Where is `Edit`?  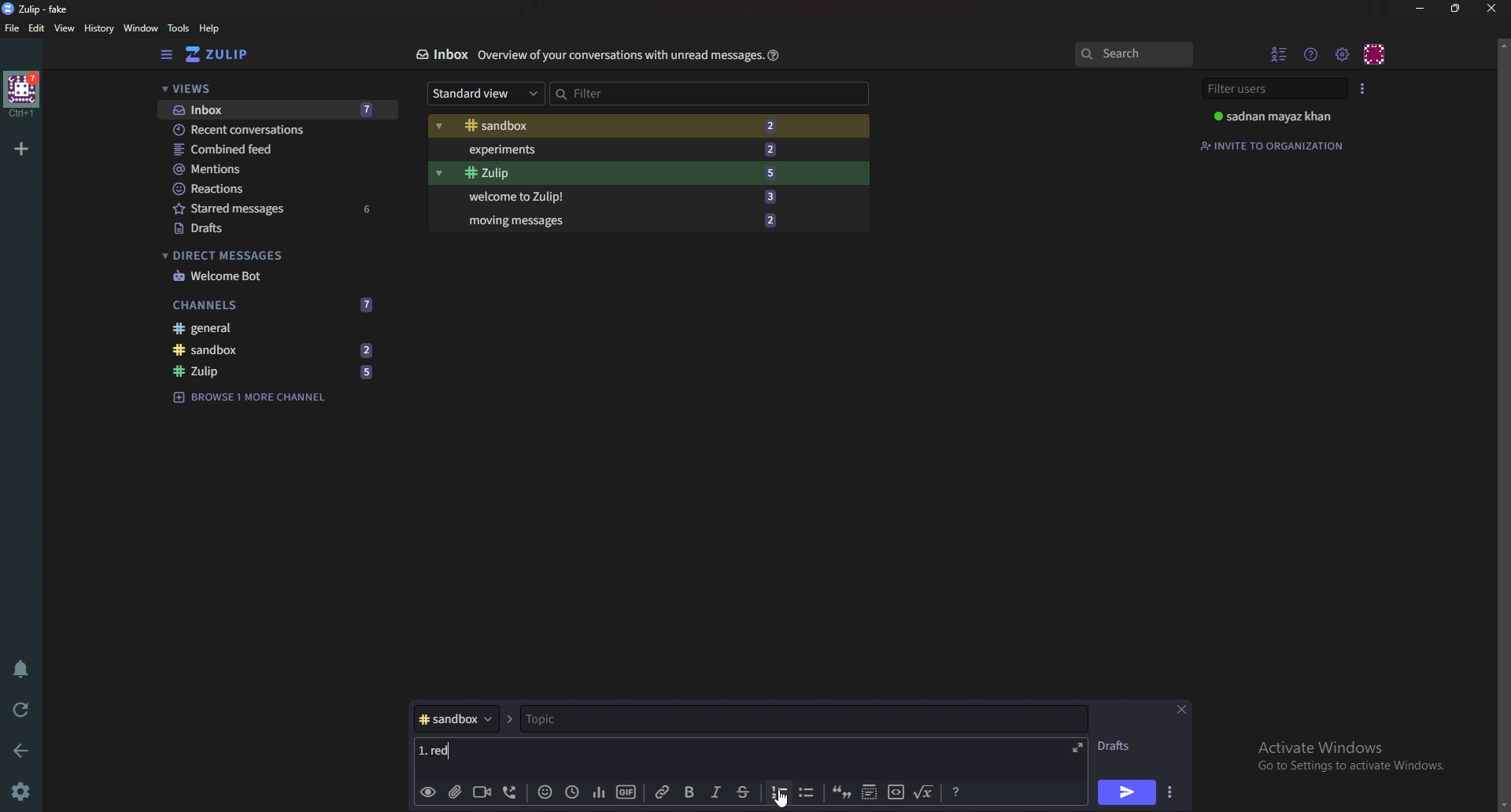 Edit is located at coordinates (38, 28).